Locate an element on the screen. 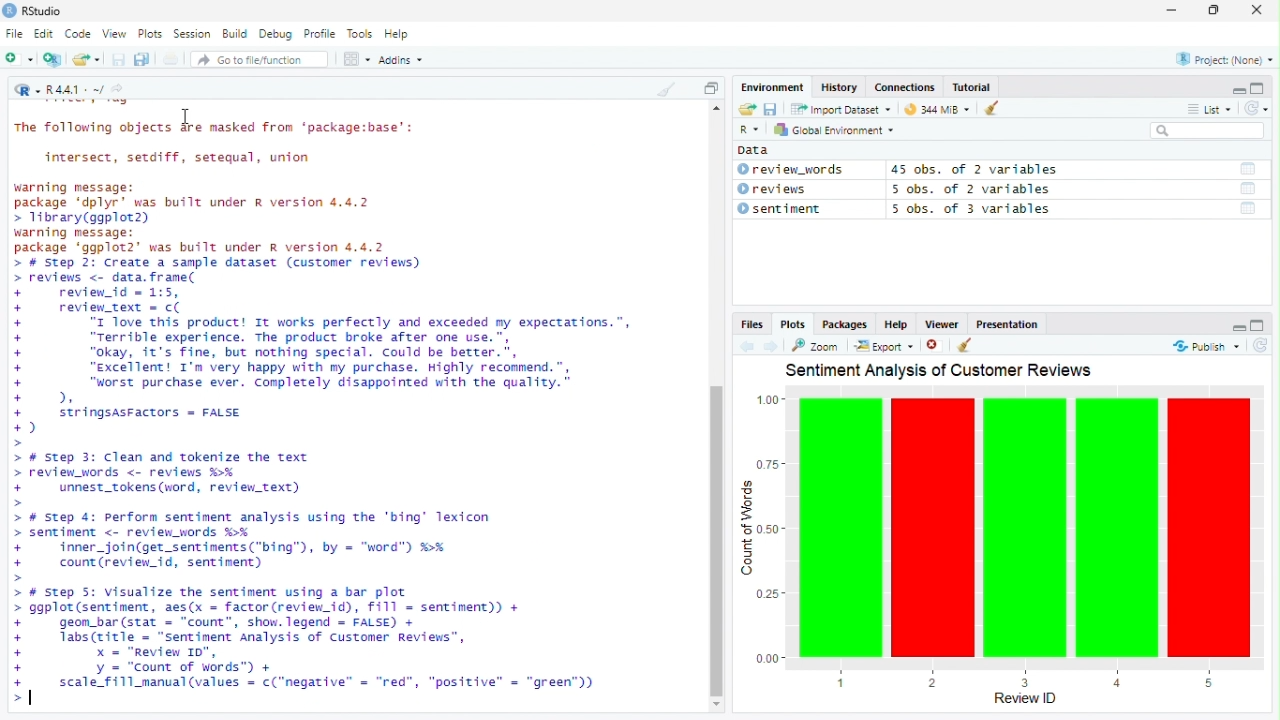  Session is located at coordinates (192, 33).